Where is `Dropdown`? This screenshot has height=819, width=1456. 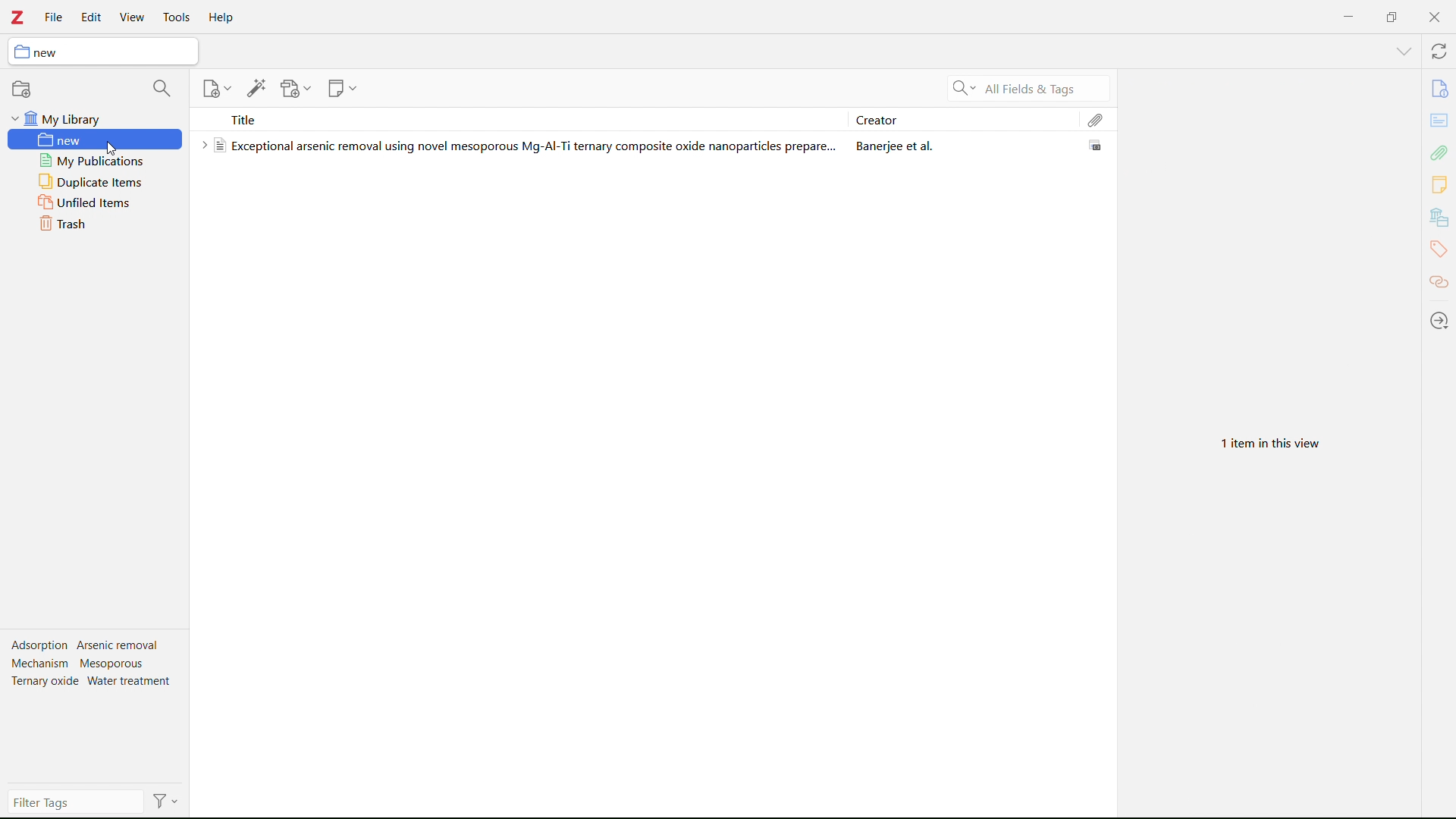 Dropdown is located at coordinates (1403, 54).